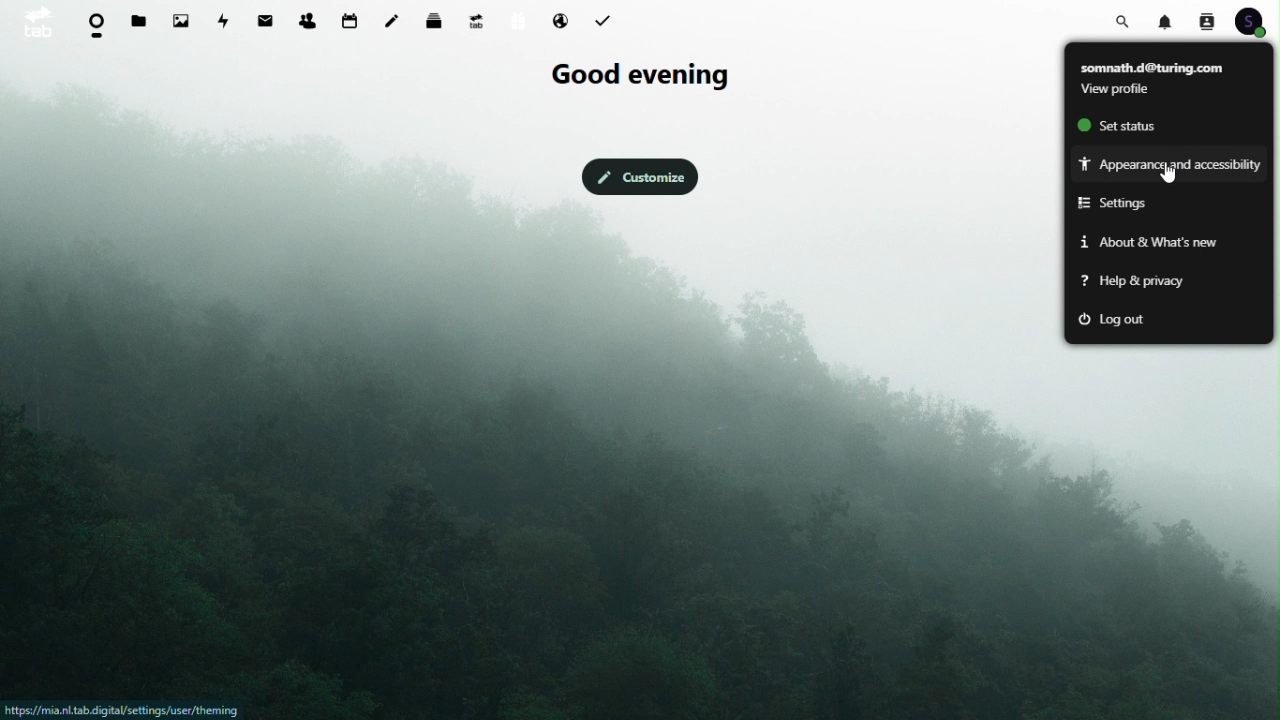  I want to click on Profile details, so click(1166, 77).